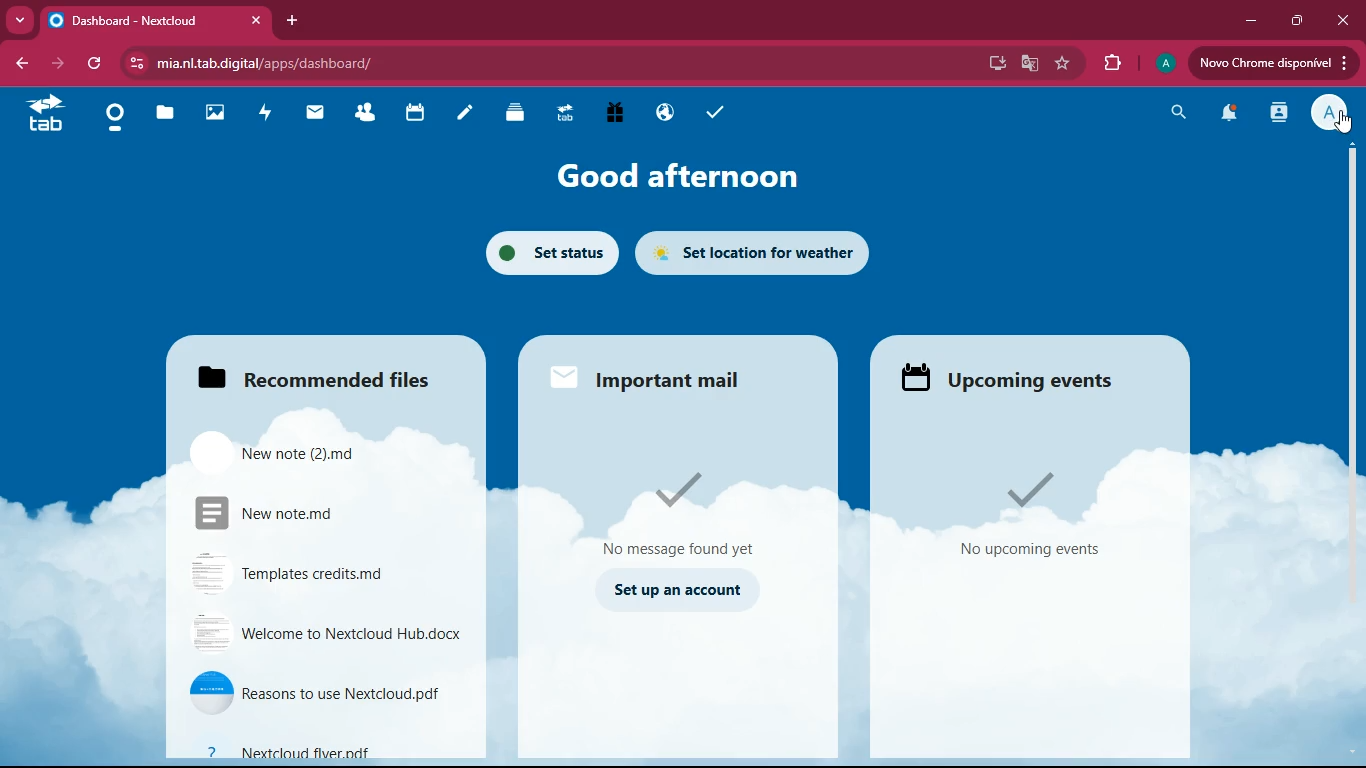 Image resolution: width=1366 pixels, height=768 pixels. I want to click on more, so click(20, 19).